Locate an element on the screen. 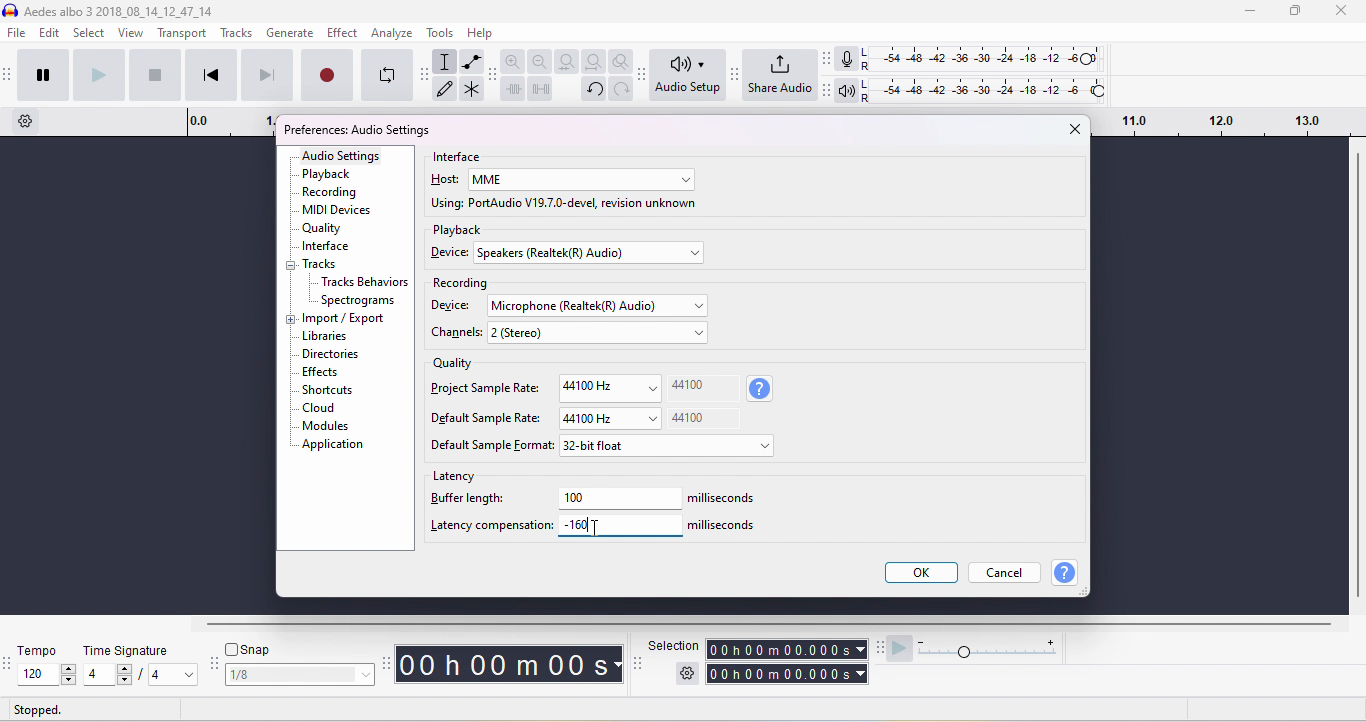 This screenshot has width=1366, height=722. select is located at coordinates (90, 33).